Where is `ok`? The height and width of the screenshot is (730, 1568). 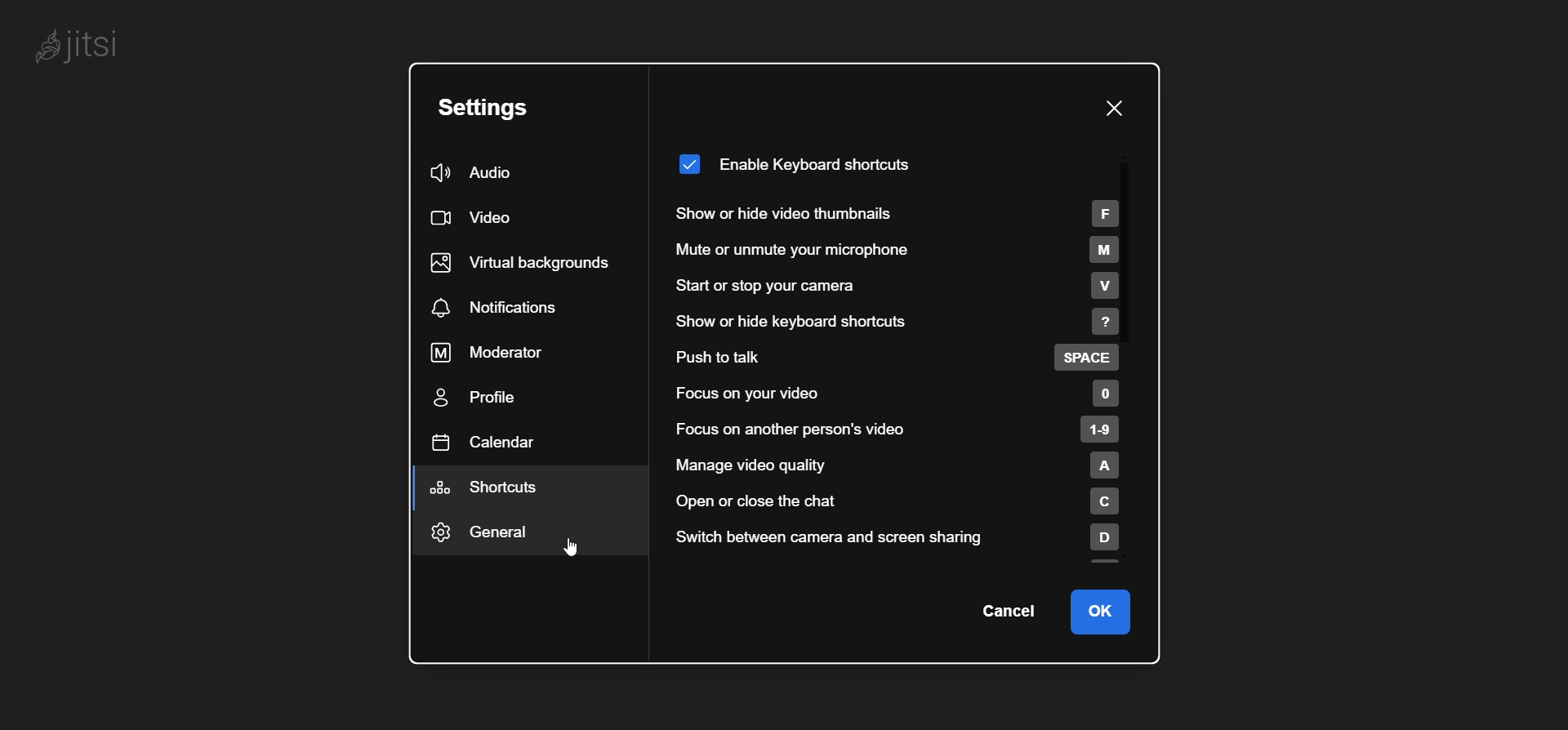 ok is located at coordinates (1102, 612).